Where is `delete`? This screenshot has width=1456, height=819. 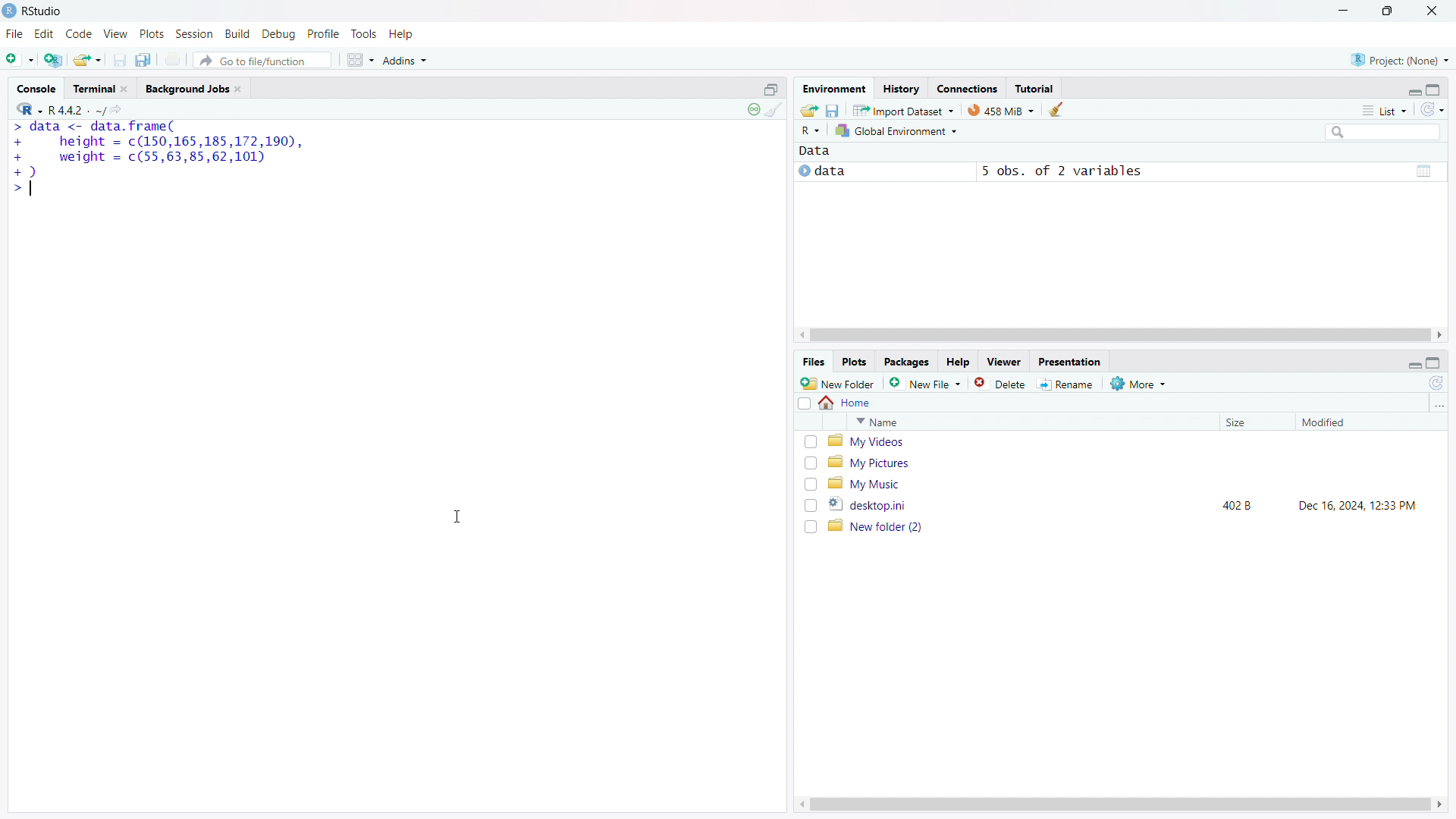
delete is located at coordinates (1002, 383).